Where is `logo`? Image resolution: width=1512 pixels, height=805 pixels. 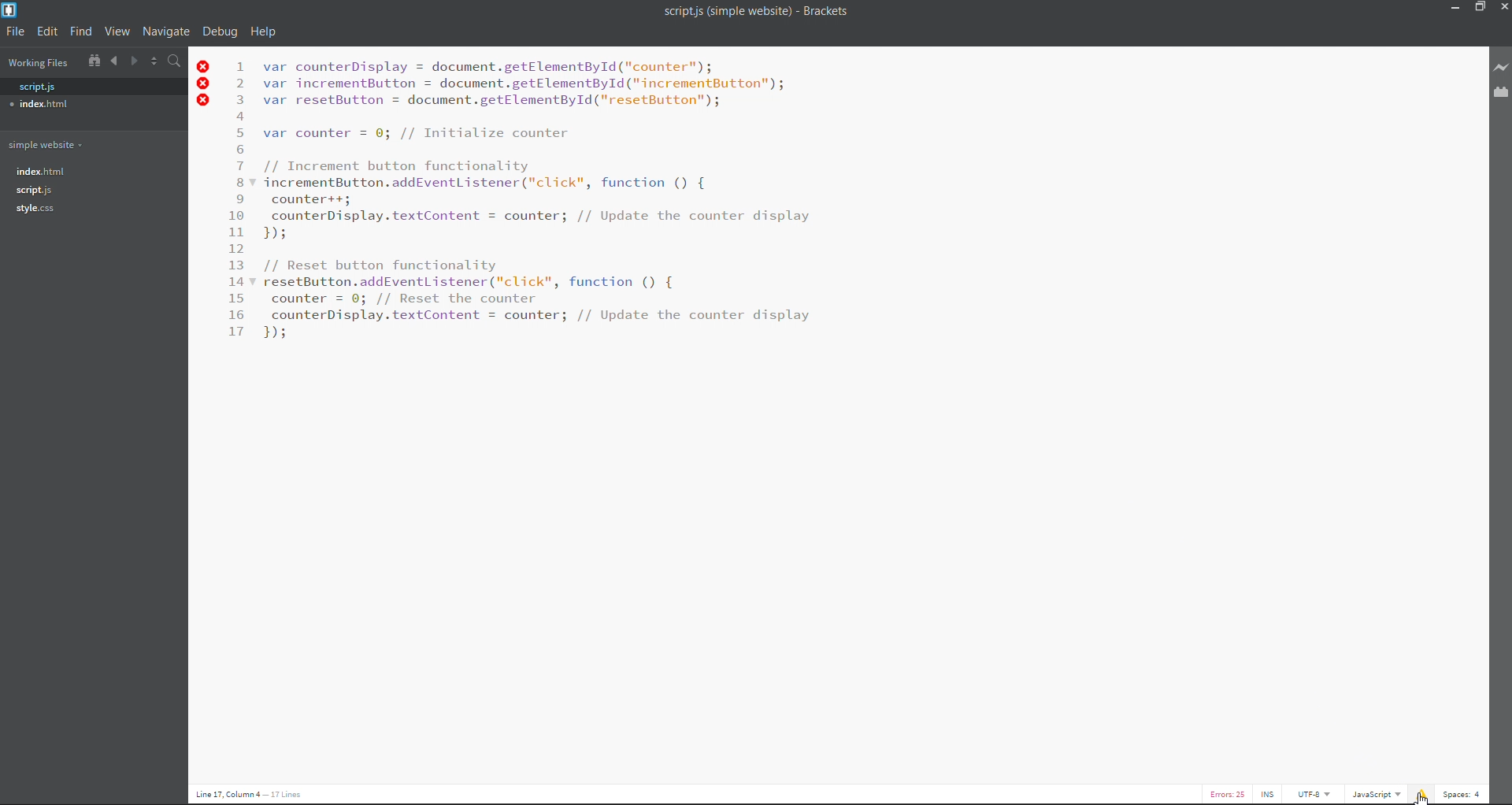 logo is located at coordinates (13, 9).